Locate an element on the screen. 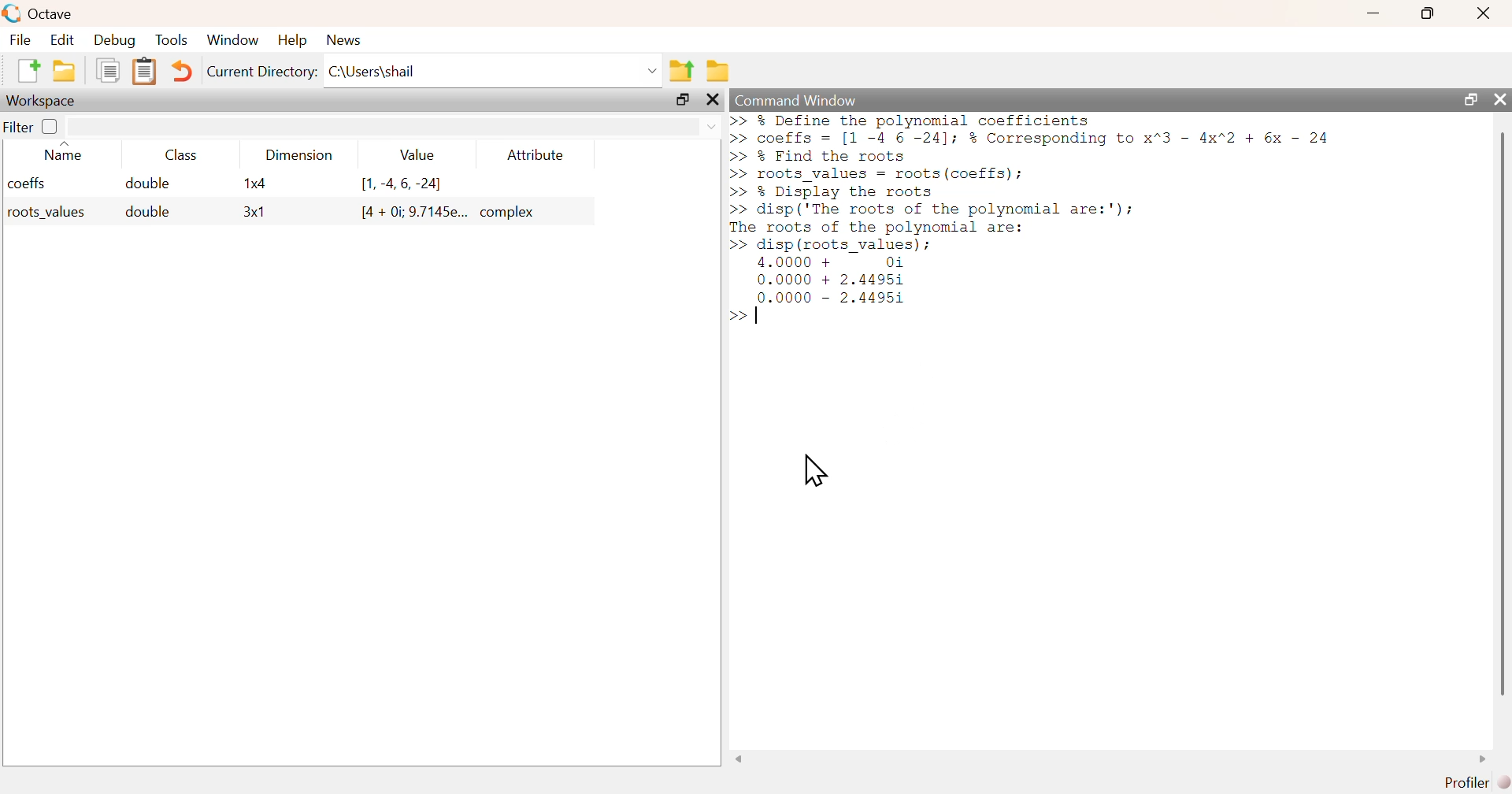  Tools is located at coordinates (172, 39).